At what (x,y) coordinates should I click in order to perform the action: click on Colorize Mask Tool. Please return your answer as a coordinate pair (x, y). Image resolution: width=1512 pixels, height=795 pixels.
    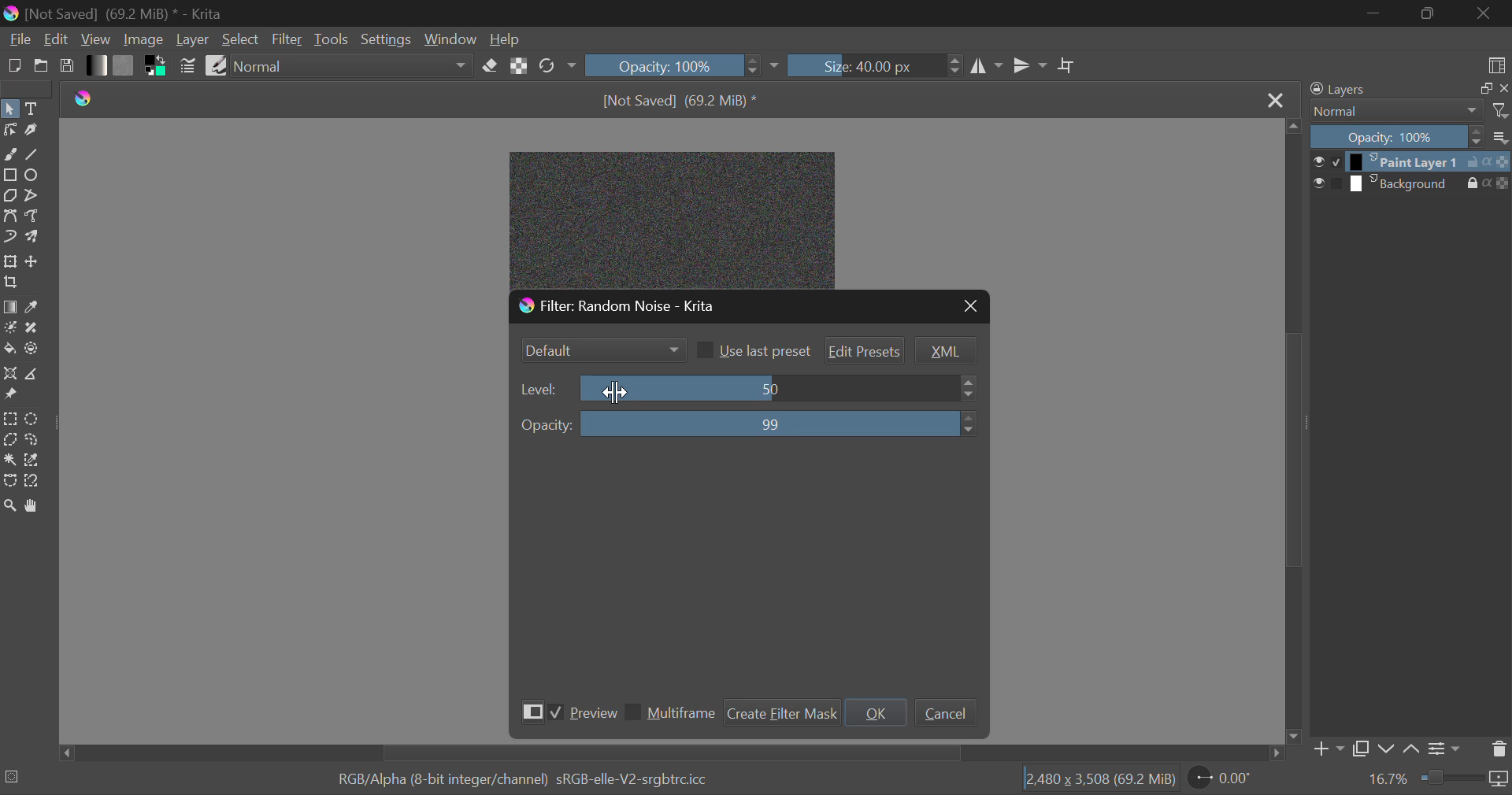
    Looking at the image, I should click on (11, 329).